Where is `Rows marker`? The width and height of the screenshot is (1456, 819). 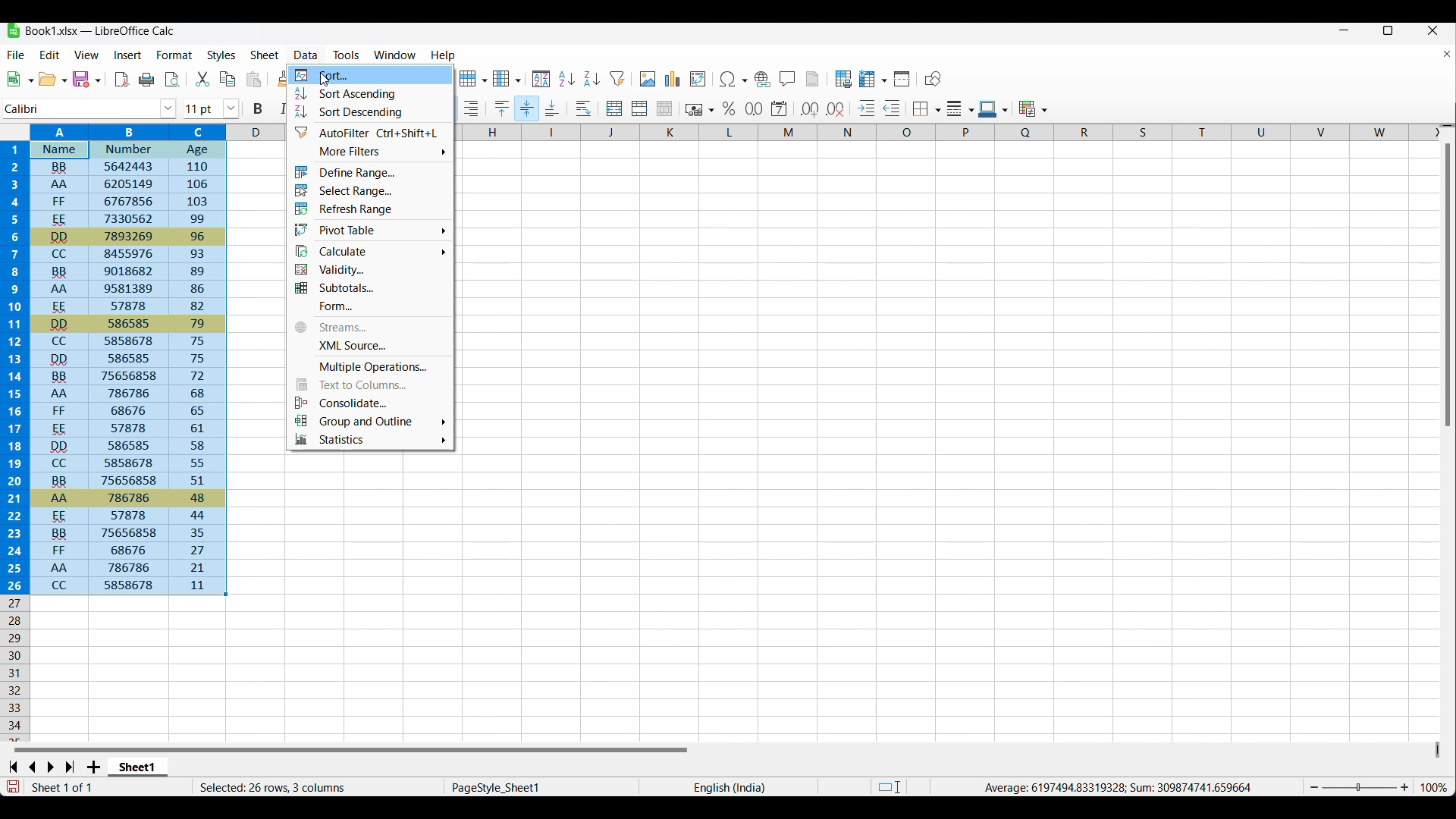
Rows marker is located at coordinates (17, 669).